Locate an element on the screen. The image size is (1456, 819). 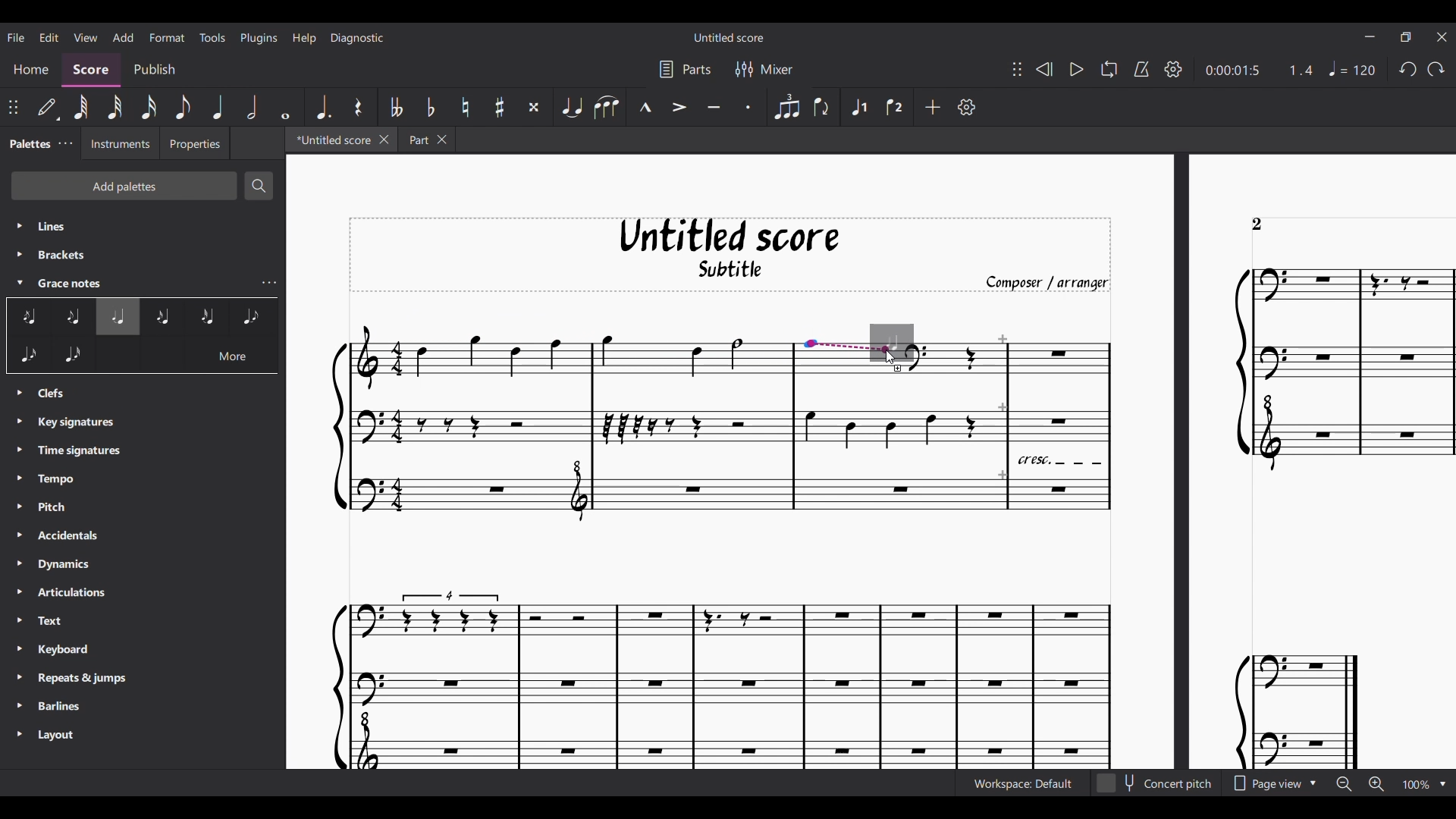
Close interface is located at coordinates (1442, 37).